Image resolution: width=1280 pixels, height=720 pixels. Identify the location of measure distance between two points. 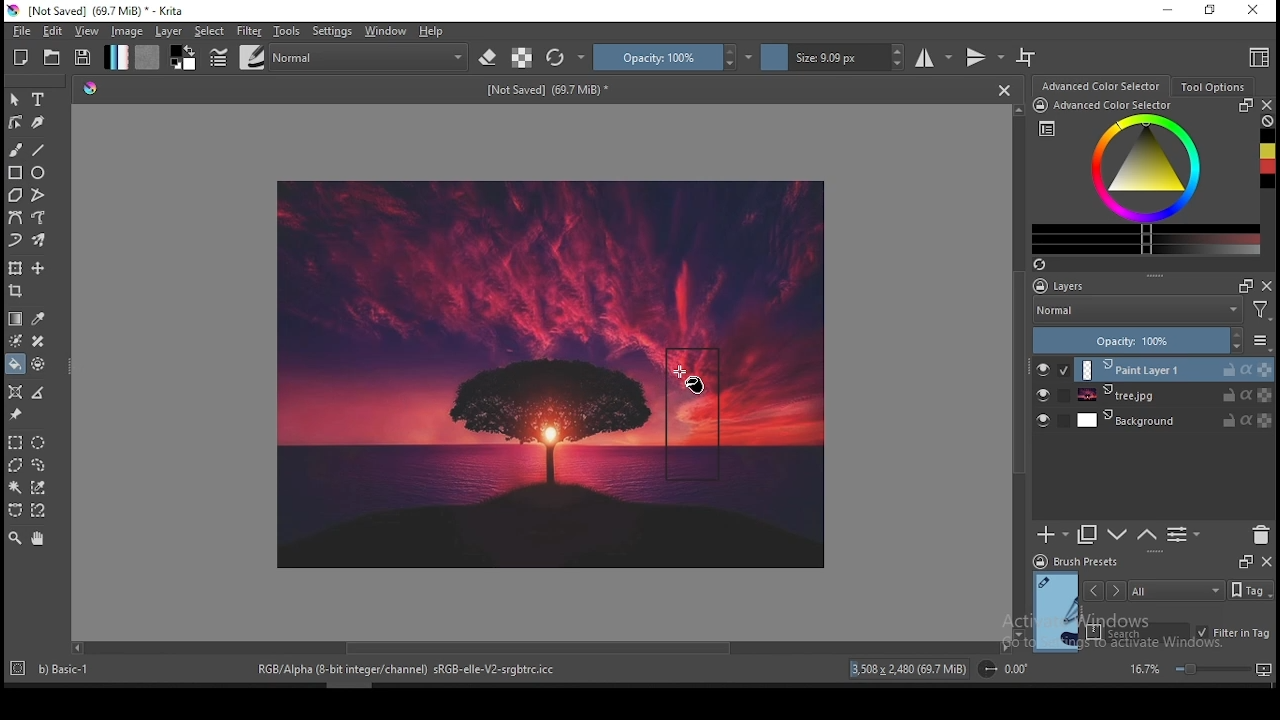
(40, 393).